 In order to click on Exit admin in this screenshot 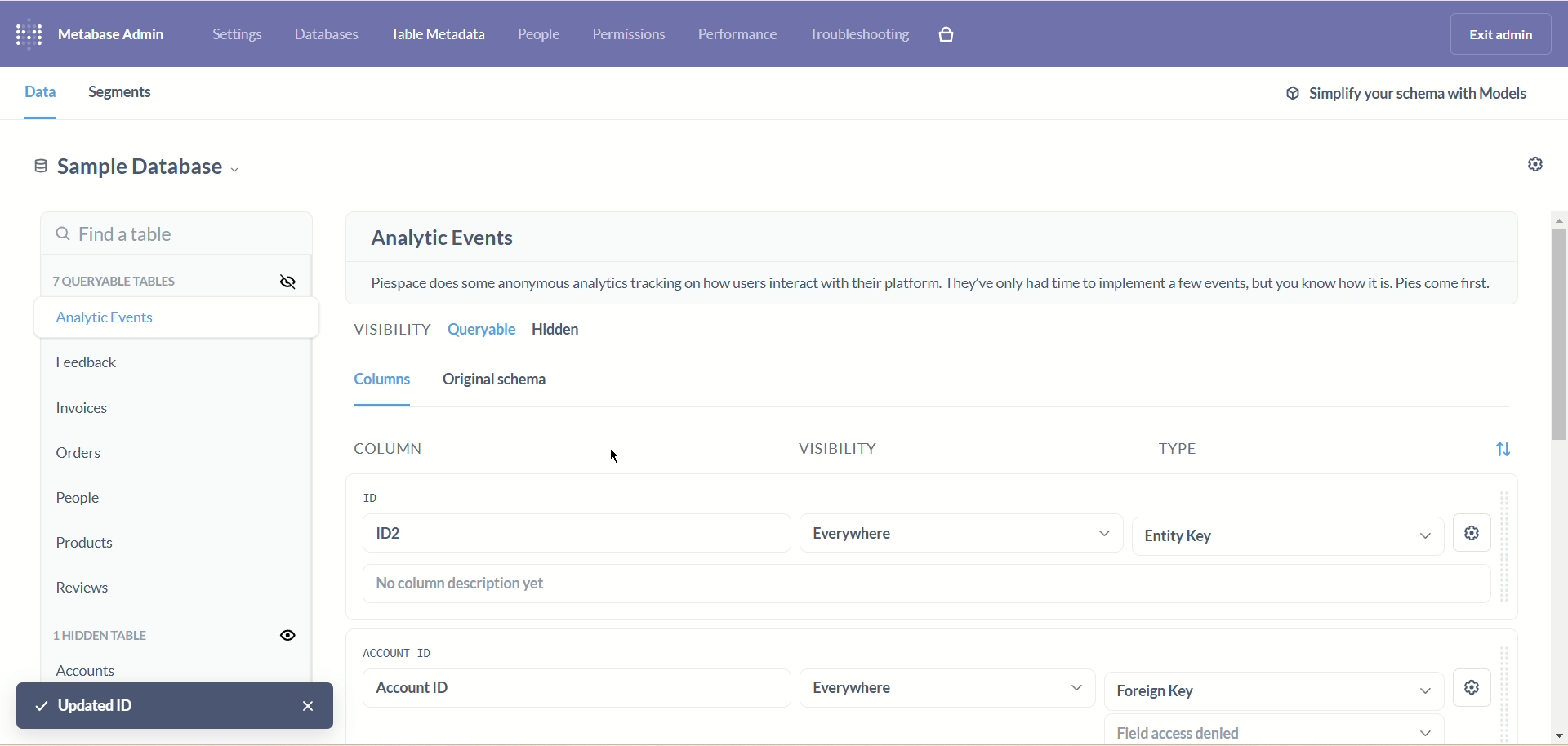, I will do `click(1493, 35)`.